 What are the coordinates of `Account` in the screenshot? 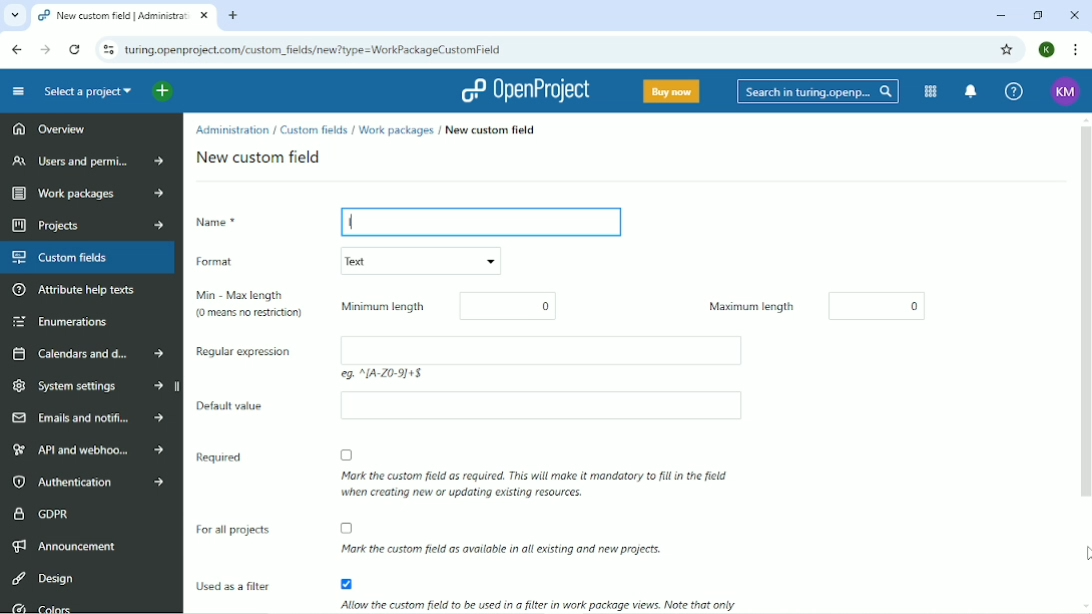 It's located at (1046, 49).